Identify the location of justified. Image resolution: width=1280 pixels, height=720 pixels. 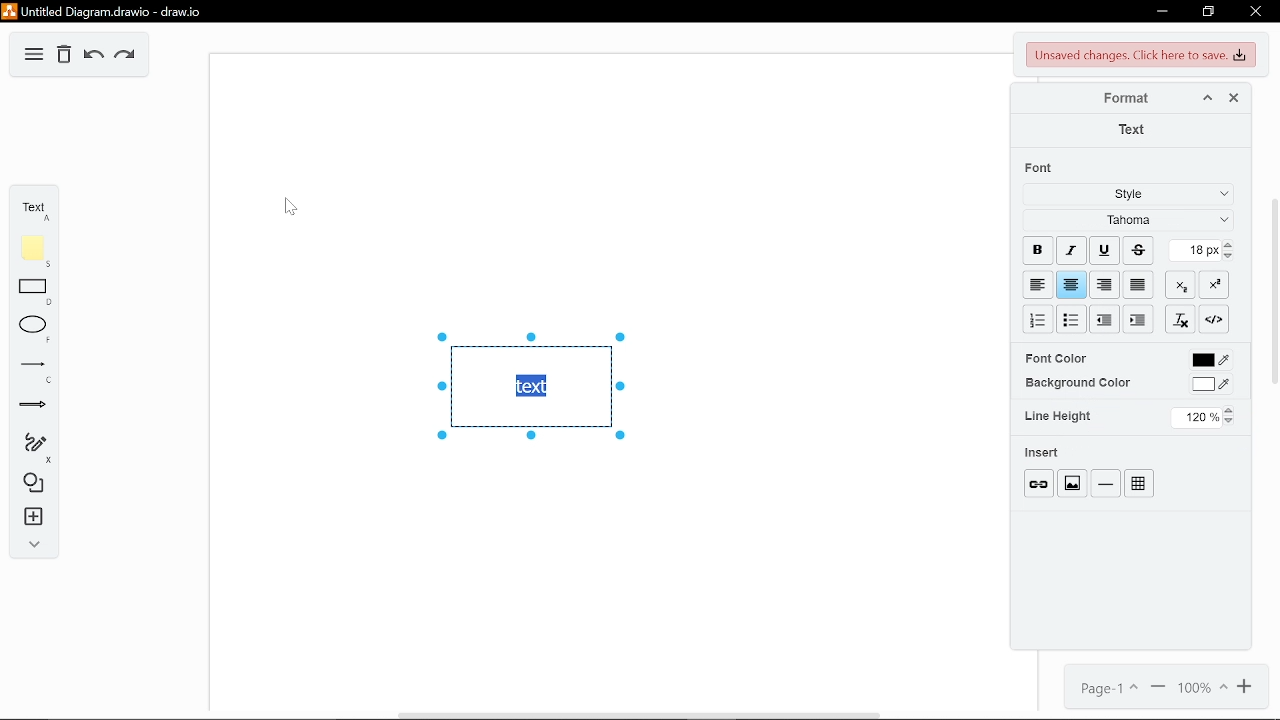
(1140, 286).